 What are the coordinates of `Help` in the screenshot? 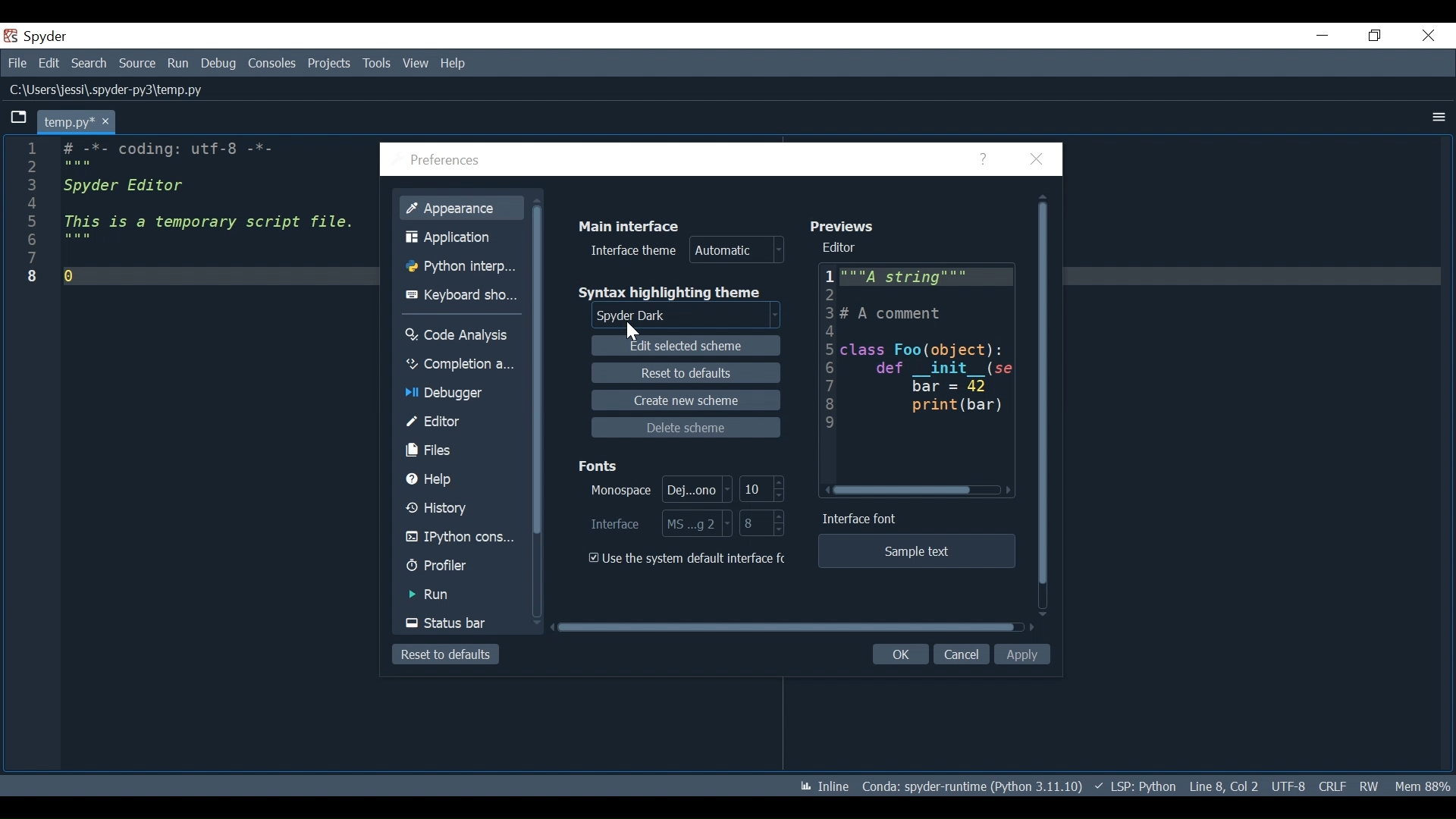 It's located at (986, 160).